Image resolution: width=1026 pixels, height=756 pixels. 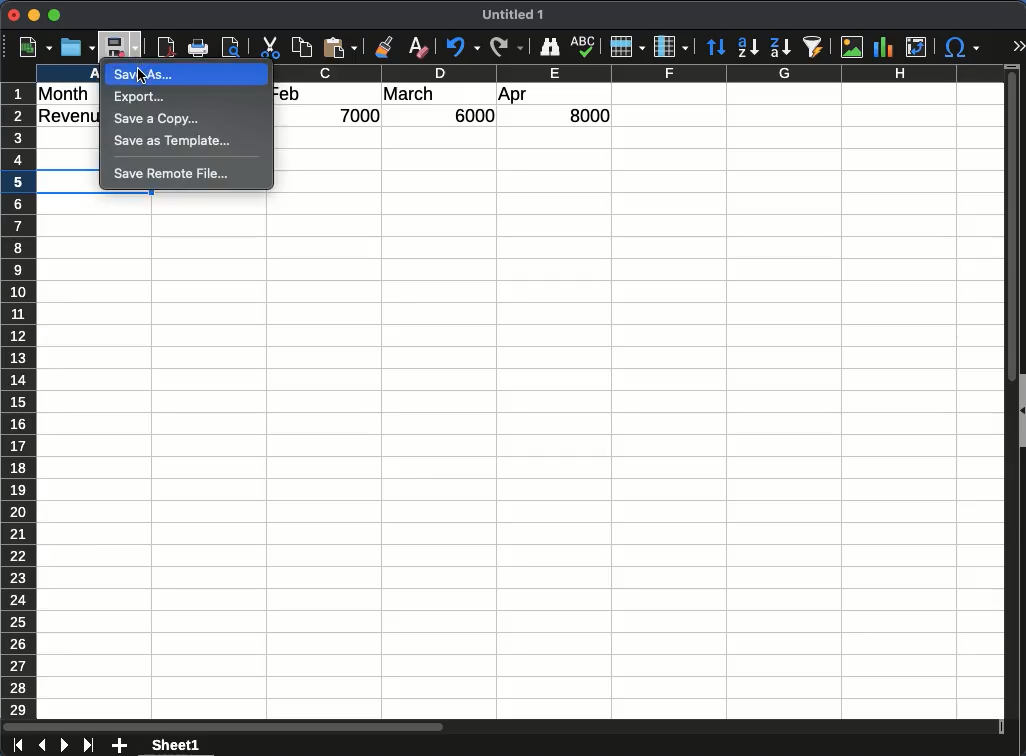 I want to click on finder, so click(x=550, y=47).